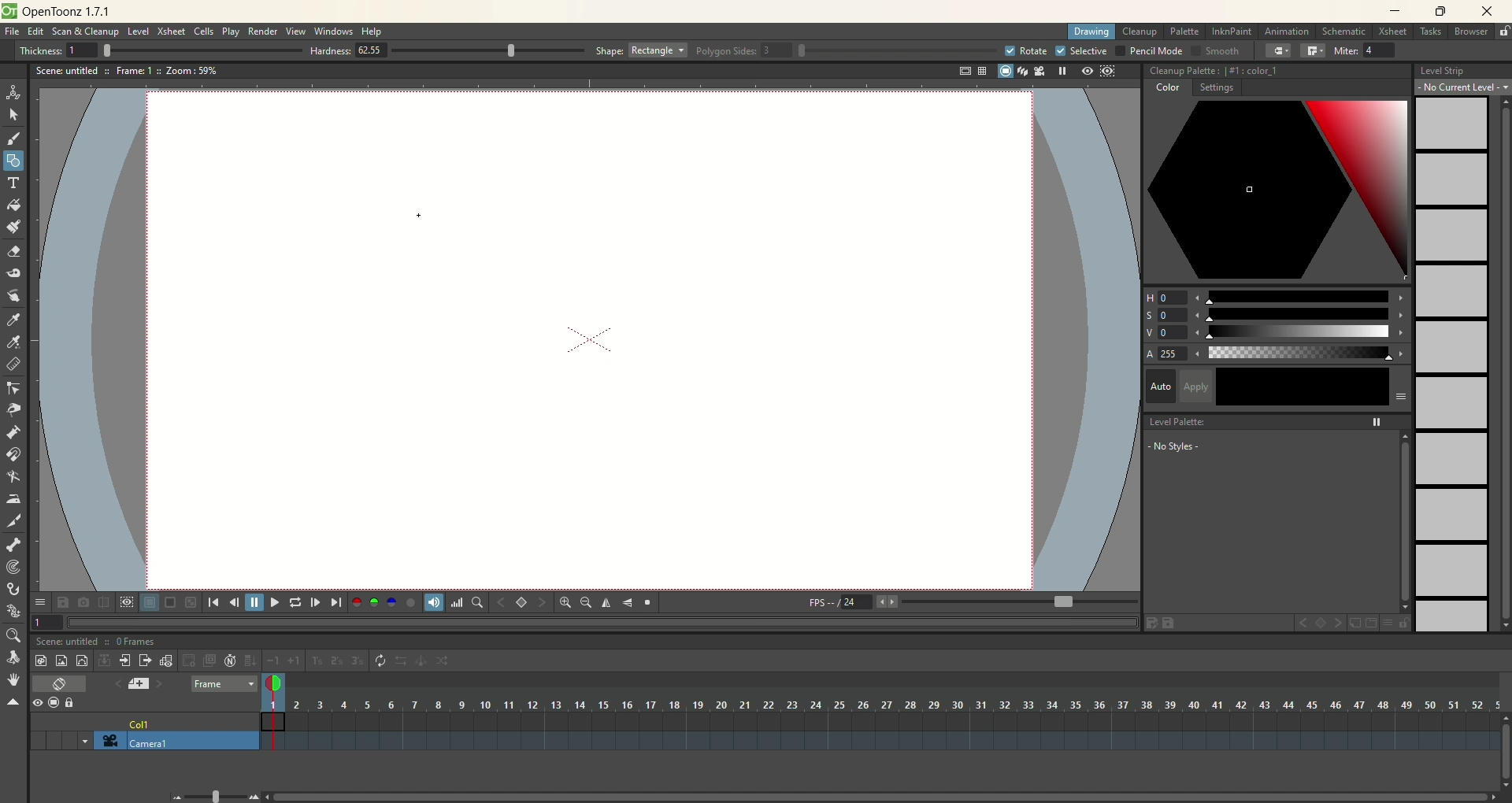 Image resolution: width=1512 pixels, height=803 pixels. Describe the element at coordinates (846, 51) in the screenshot. I see `Polygon sides 3` at that location.